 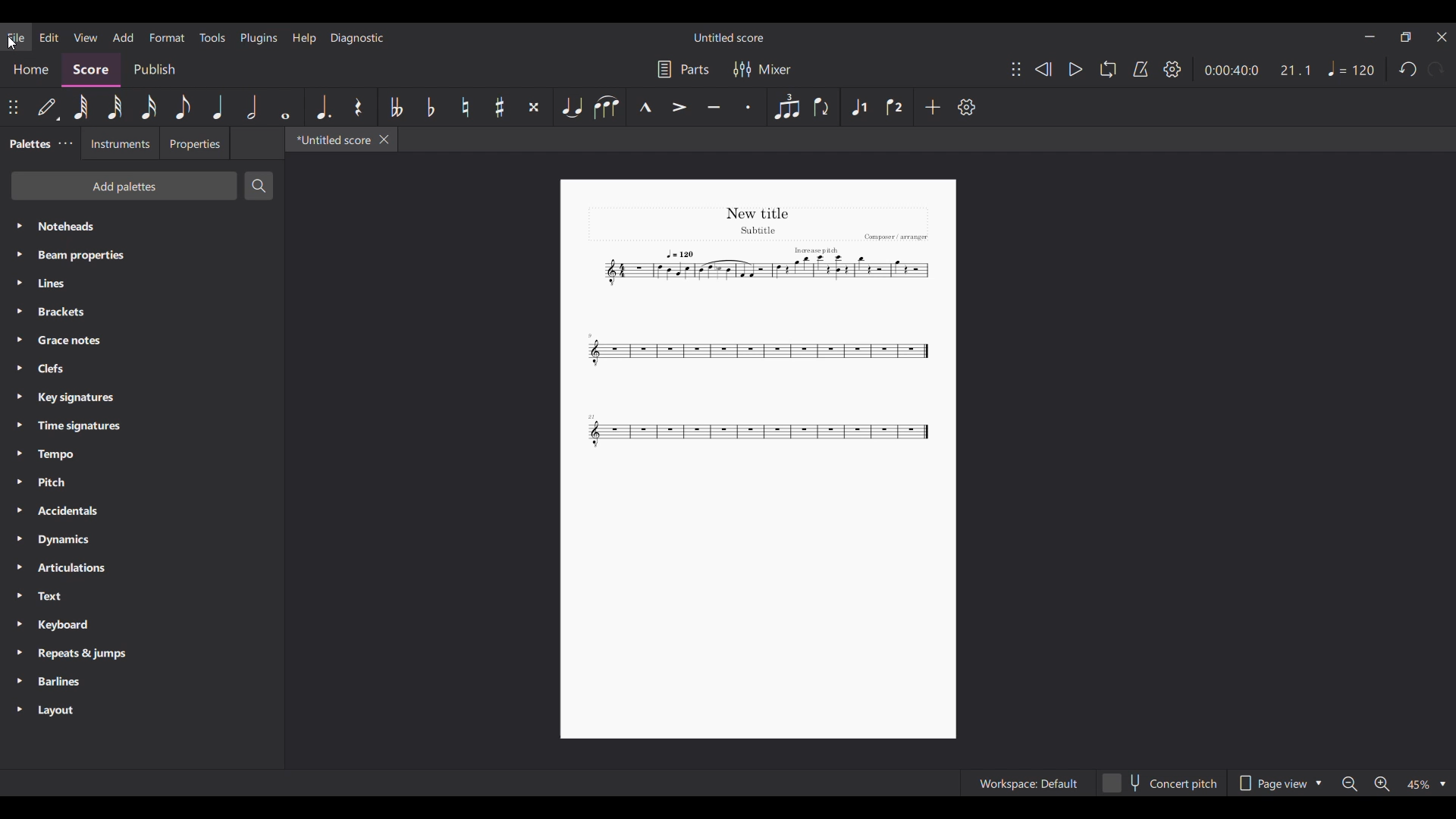 What do you see at coordinates (359, 107) in the screenshot?
I see `Rest` at bounding box center [359, 107].